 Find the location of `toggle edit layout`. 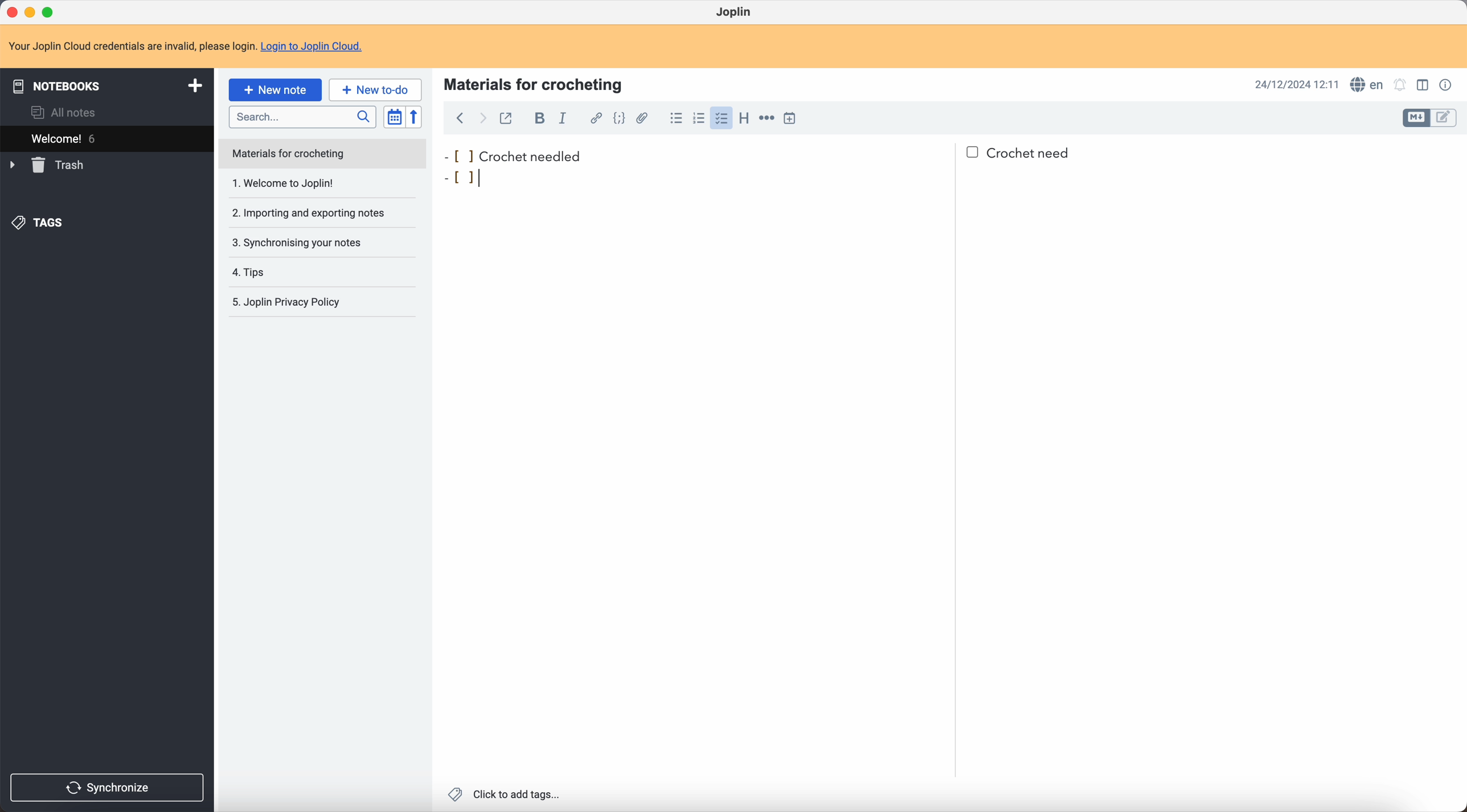

toggle edit layout is located at coordinates (1445, 117).